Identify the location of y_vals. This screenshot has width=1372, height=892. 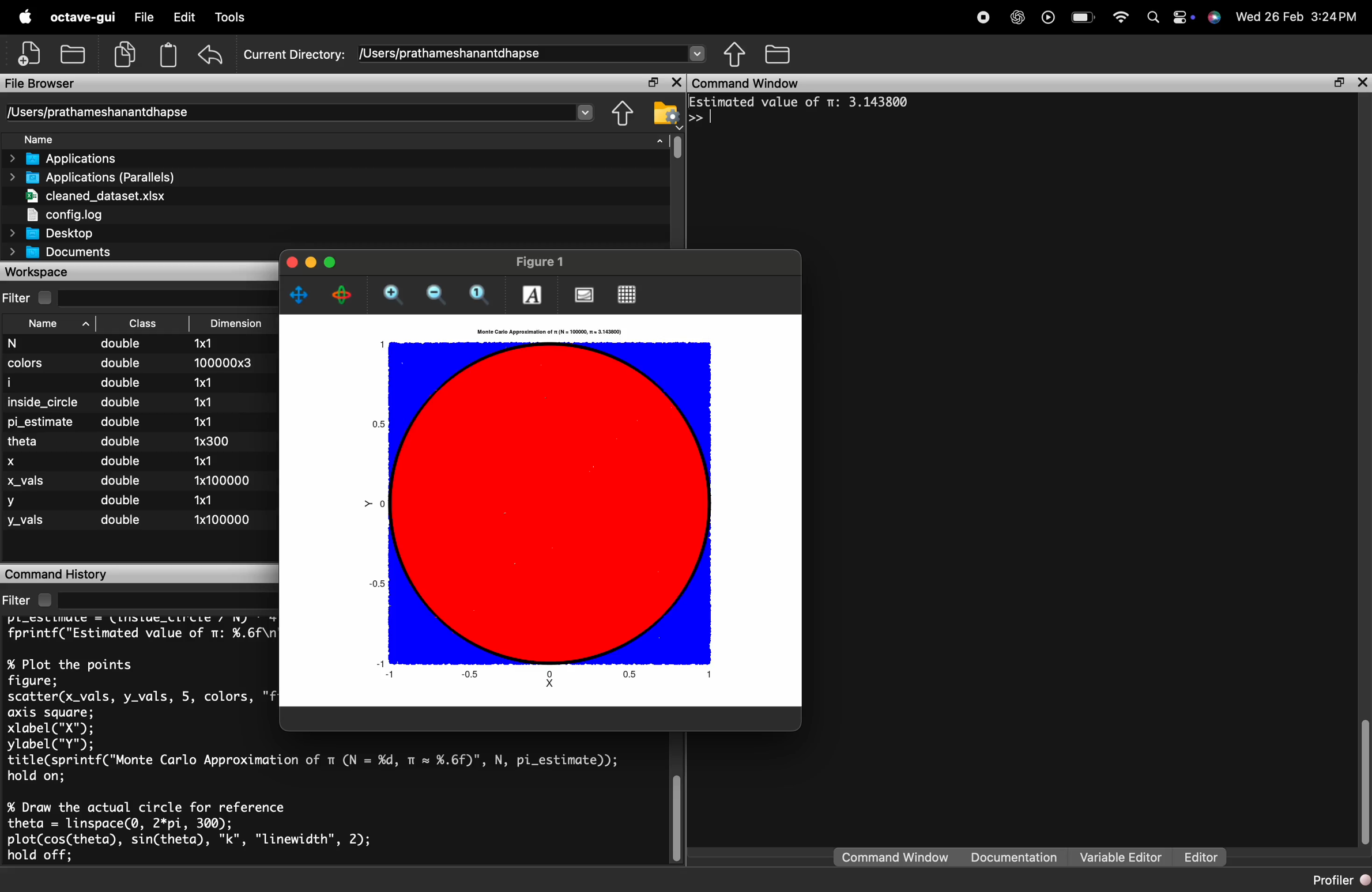
(26, 523).